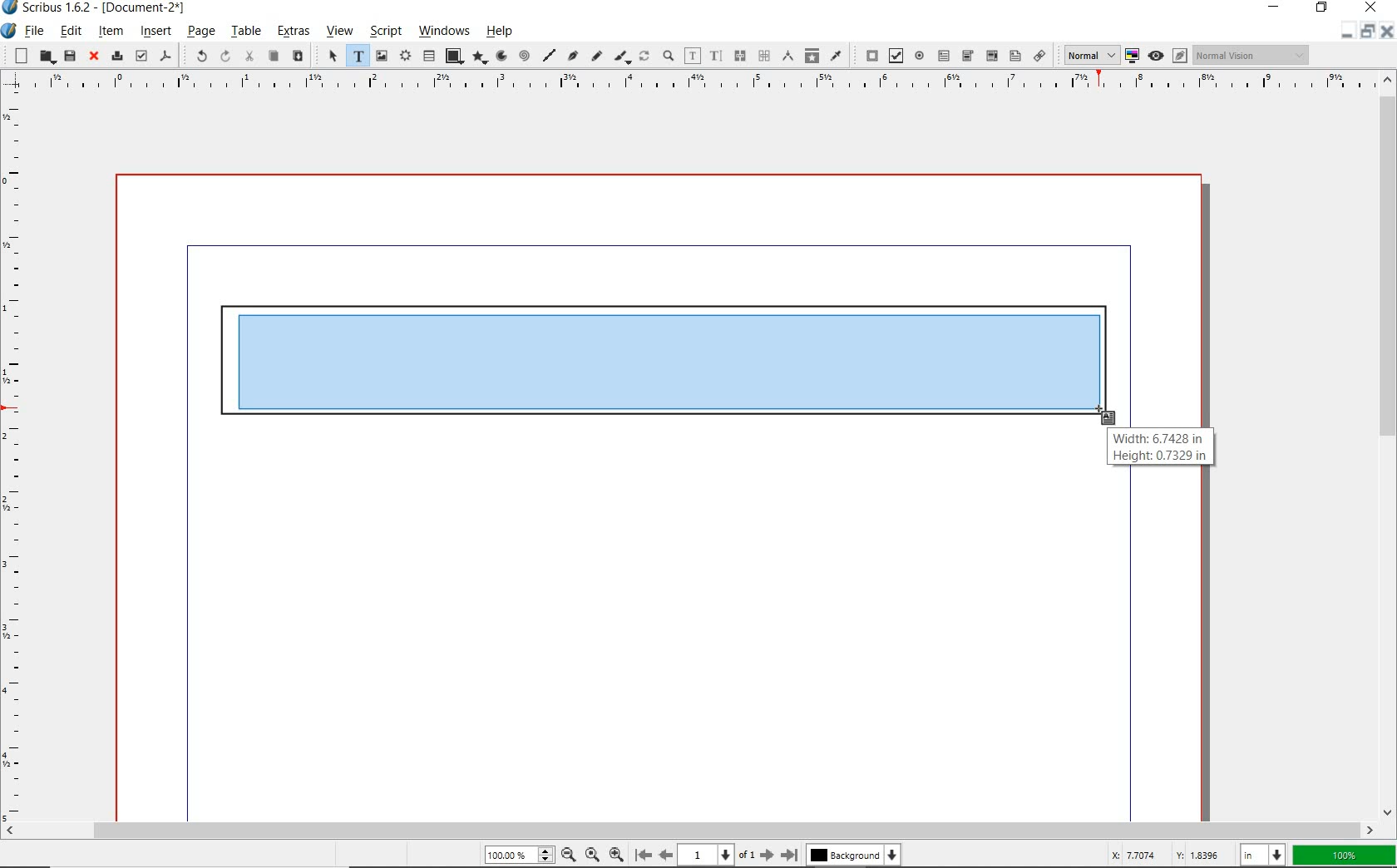 This screenshot has height=868, width=1397. Describe the element at coordinates (1014, 55) in the screenshot. I see `pdf list box` at that location.